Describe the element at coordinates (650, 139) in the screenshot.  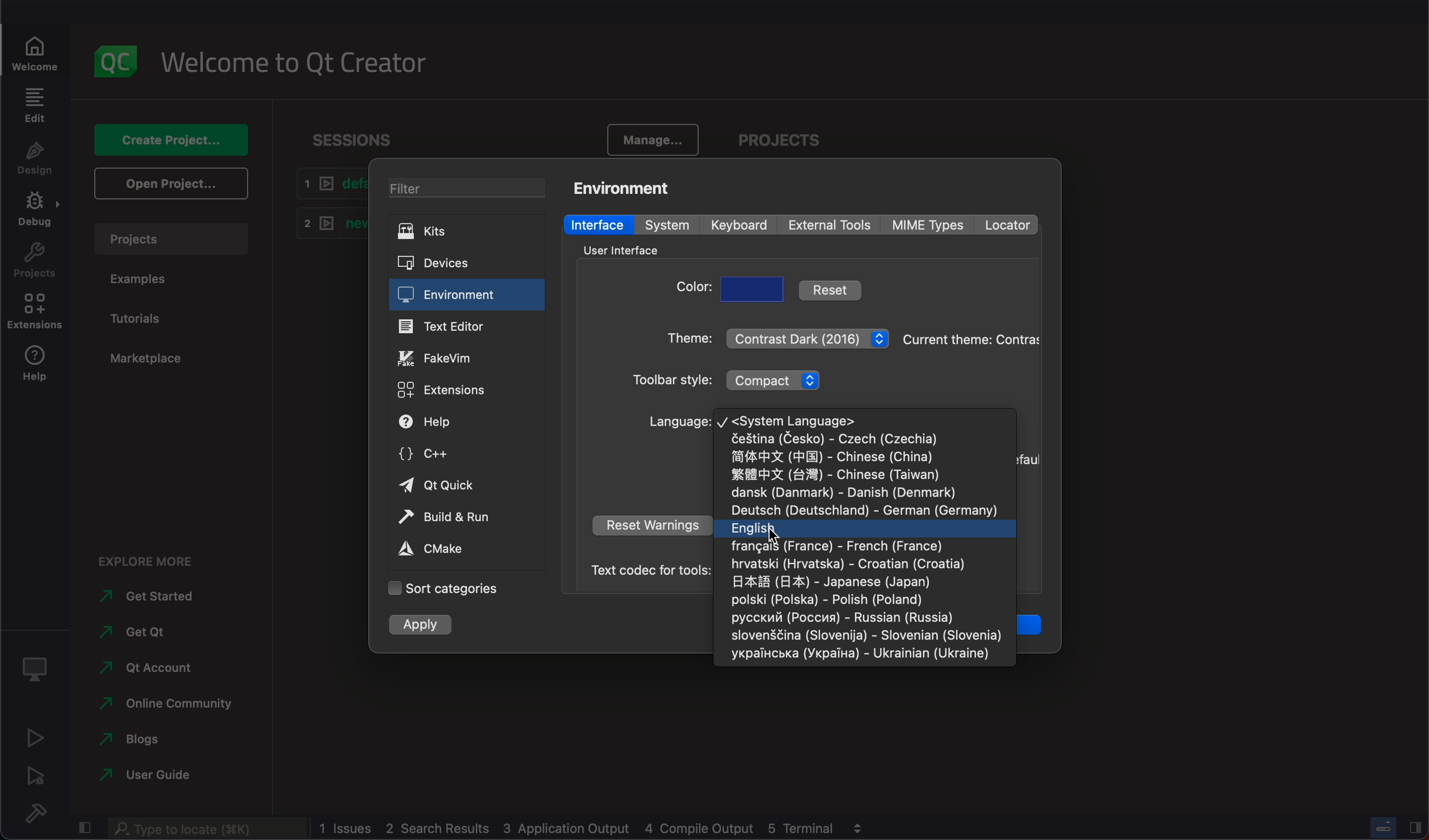
I see `manage` at that location.